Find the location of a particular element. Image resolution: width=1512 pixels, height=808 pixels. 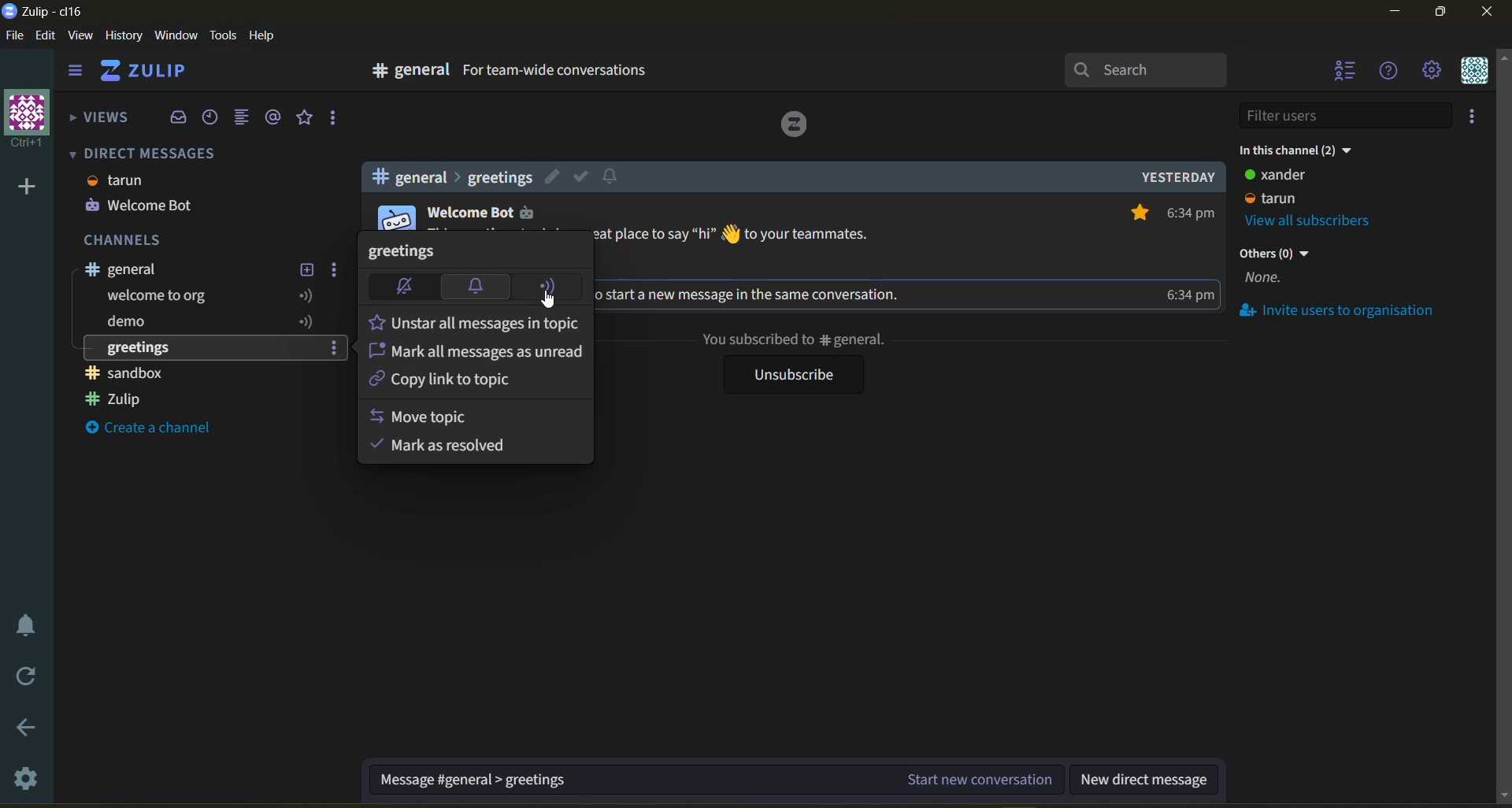

you subscribed to general is located at coordinates (792, 340).